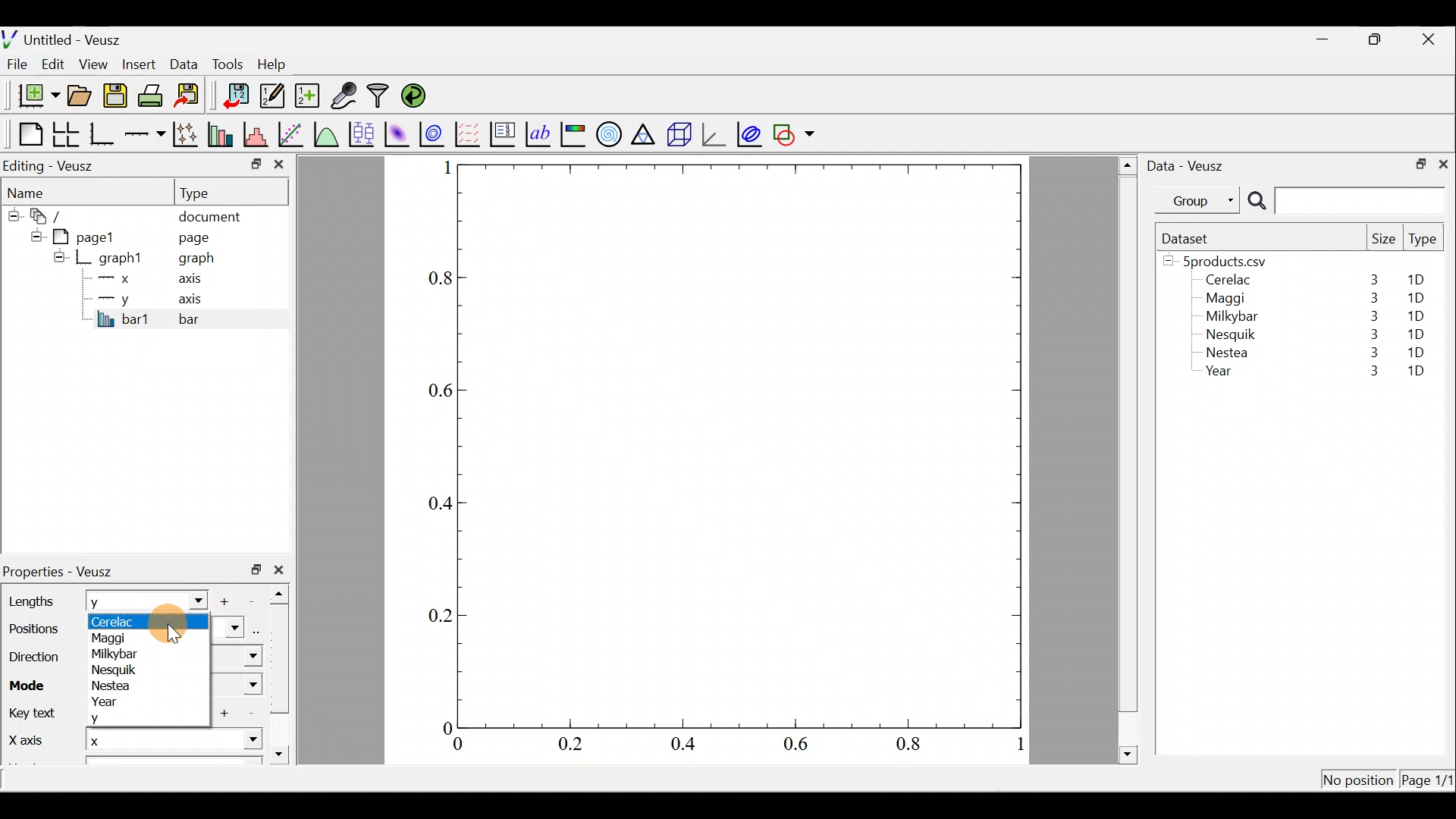 Image resolution: width=1456 pixels, height=819 pixels. What do you see at coordinates (195, 281) in the screenshot?
I see `axis` at bounding box center [195, 281].